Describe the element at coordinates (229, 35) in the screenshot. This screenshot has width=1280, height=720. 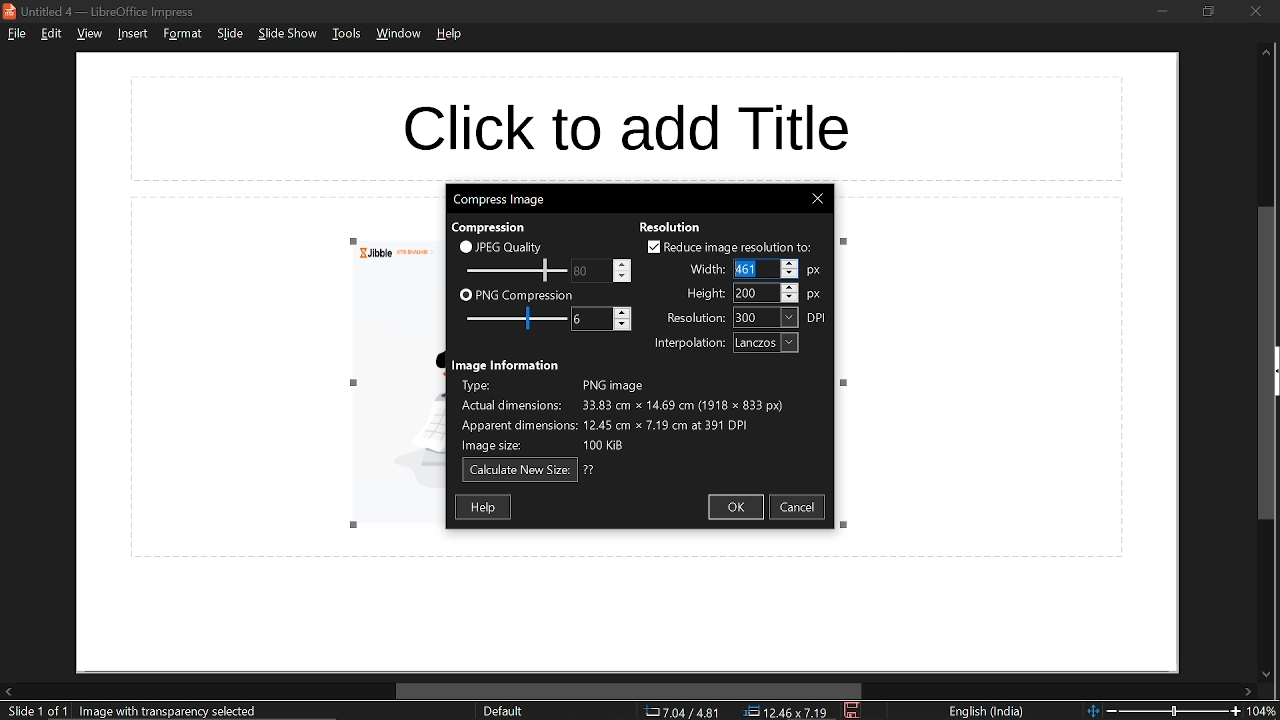
I see `slide` at that location.